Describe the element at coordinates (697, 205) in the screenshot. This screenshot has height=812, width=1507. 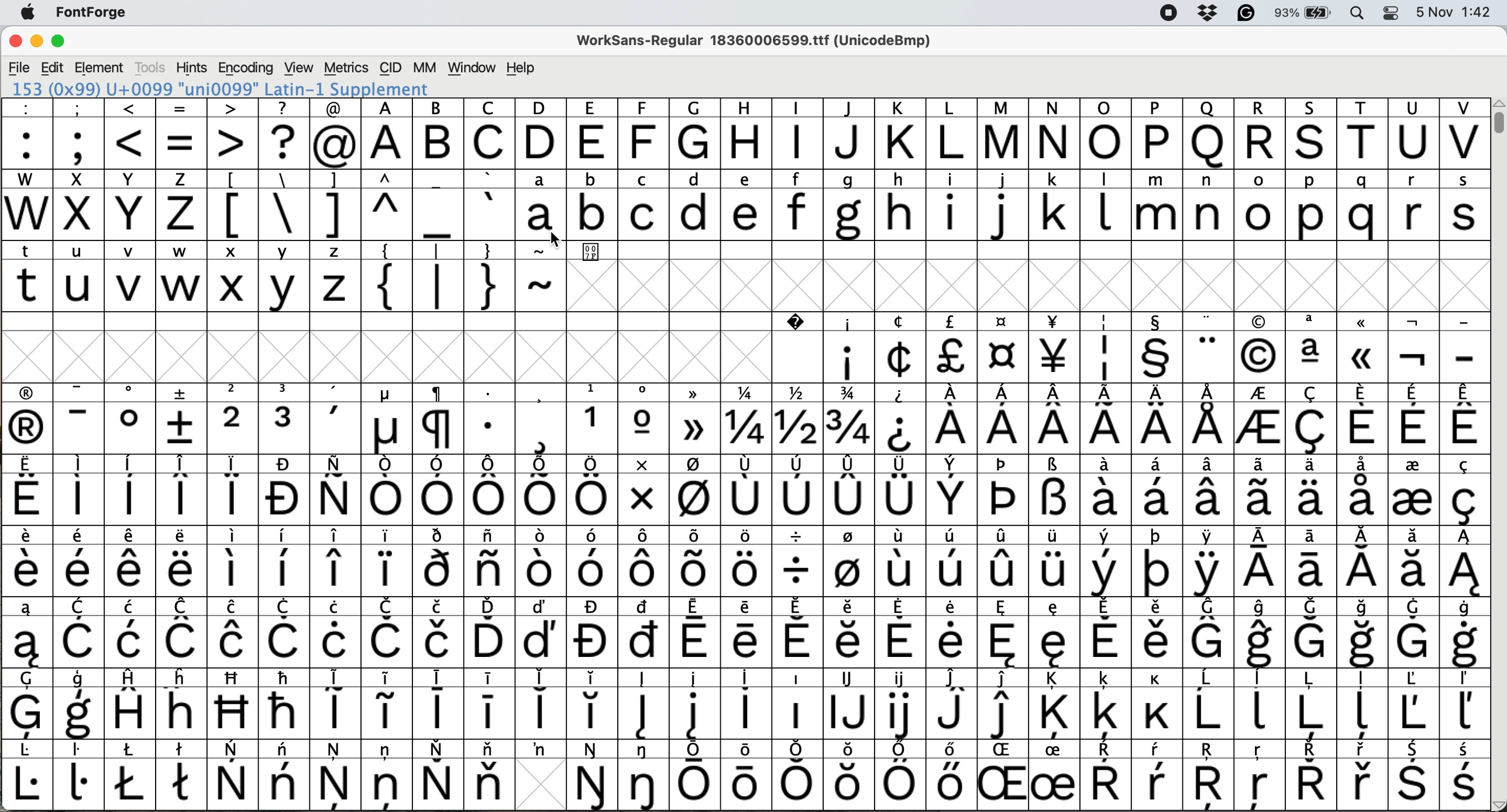
I see `d` at that location.